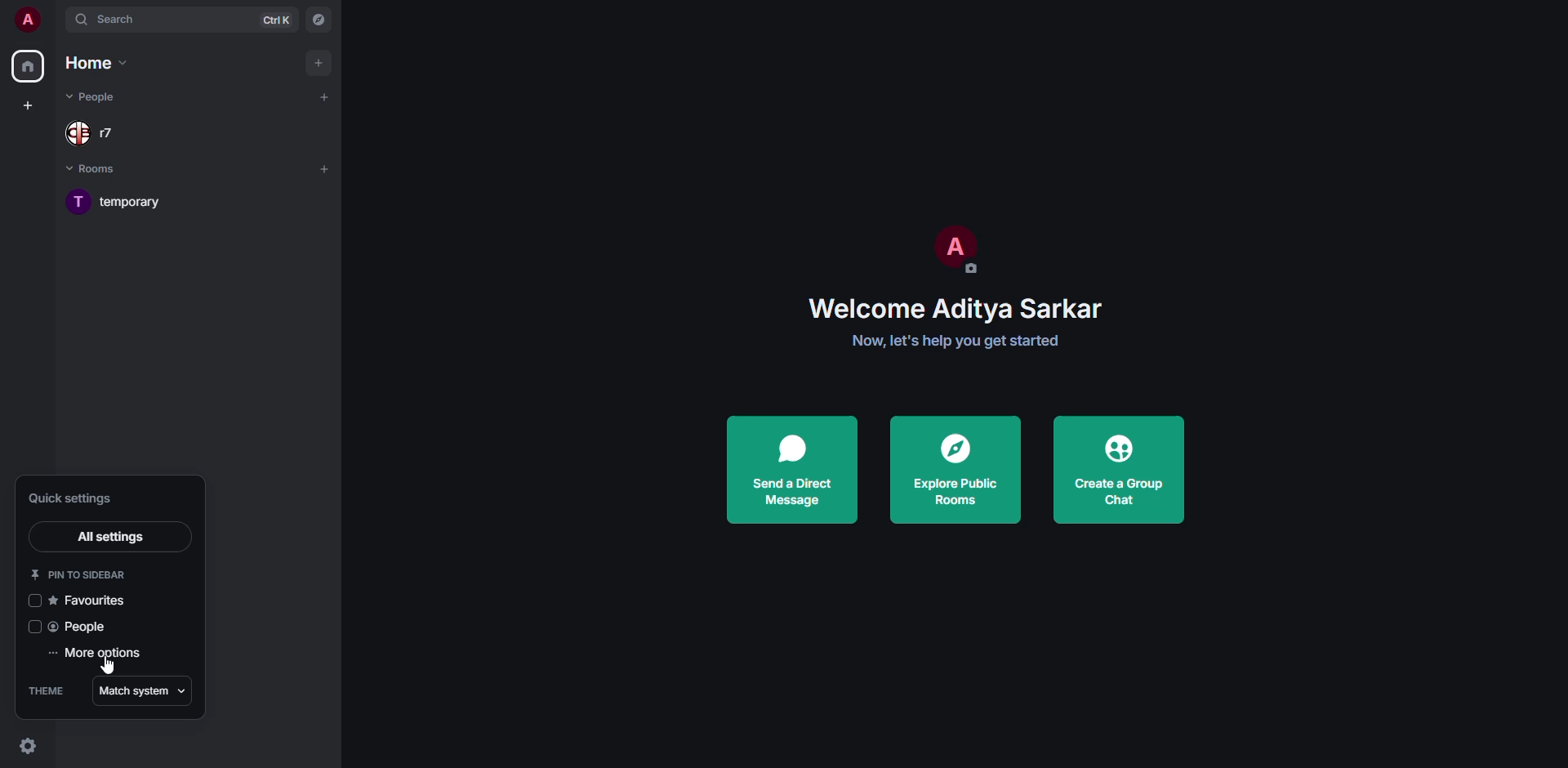 Image resolution: width=1568 pixels, height=768 pixels. Describe the element at coordinates (795, 471) in the screenshot. I see `send a direct message` at that location.